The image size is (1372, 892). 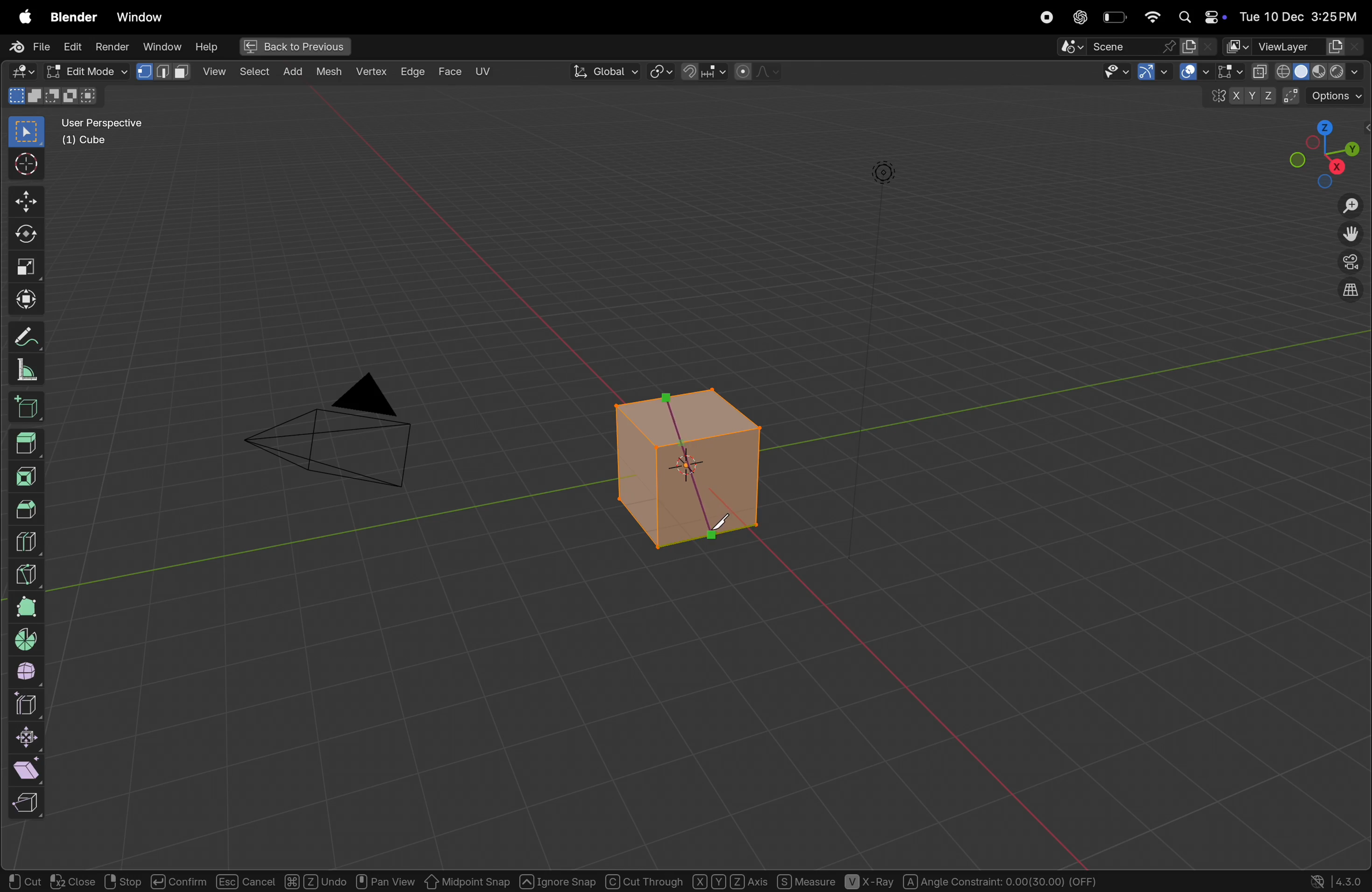 I want to click on date and time, so click(x=1303, y=13).